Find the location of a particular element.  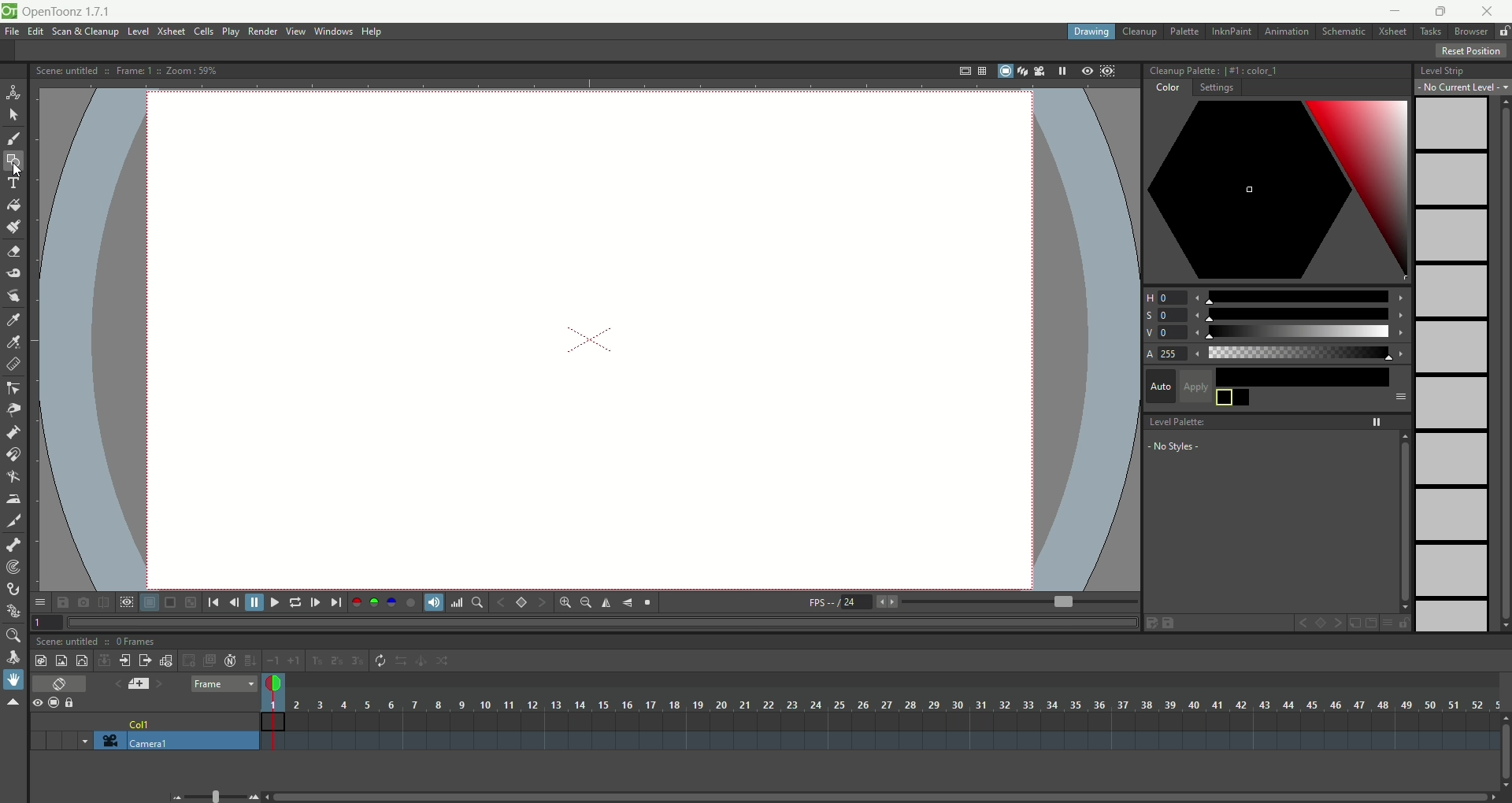

minimize is located at coordinates (1395, 10).